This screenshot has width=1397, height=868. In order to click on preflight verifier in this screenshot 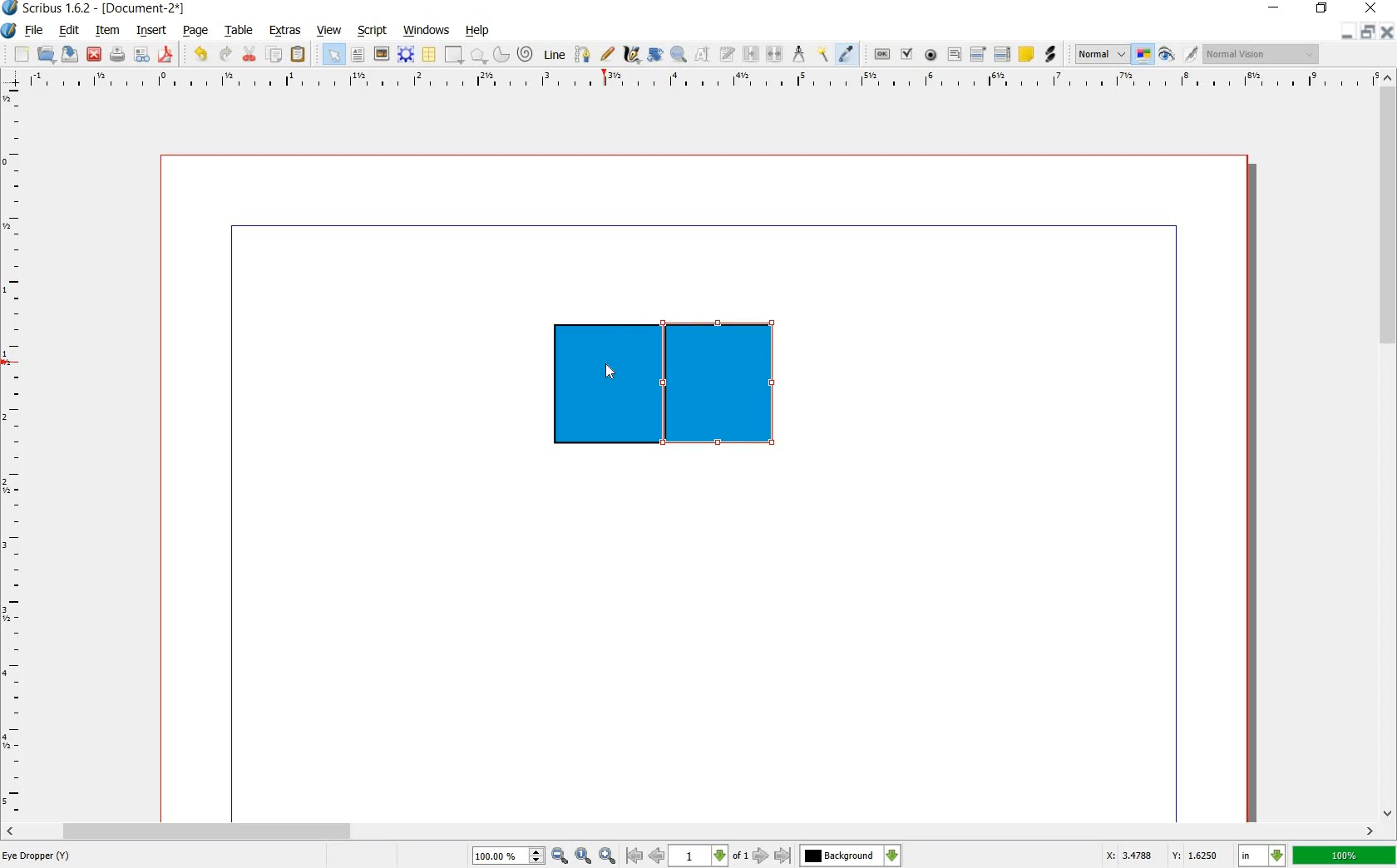, I will do `click(141, 54)`.